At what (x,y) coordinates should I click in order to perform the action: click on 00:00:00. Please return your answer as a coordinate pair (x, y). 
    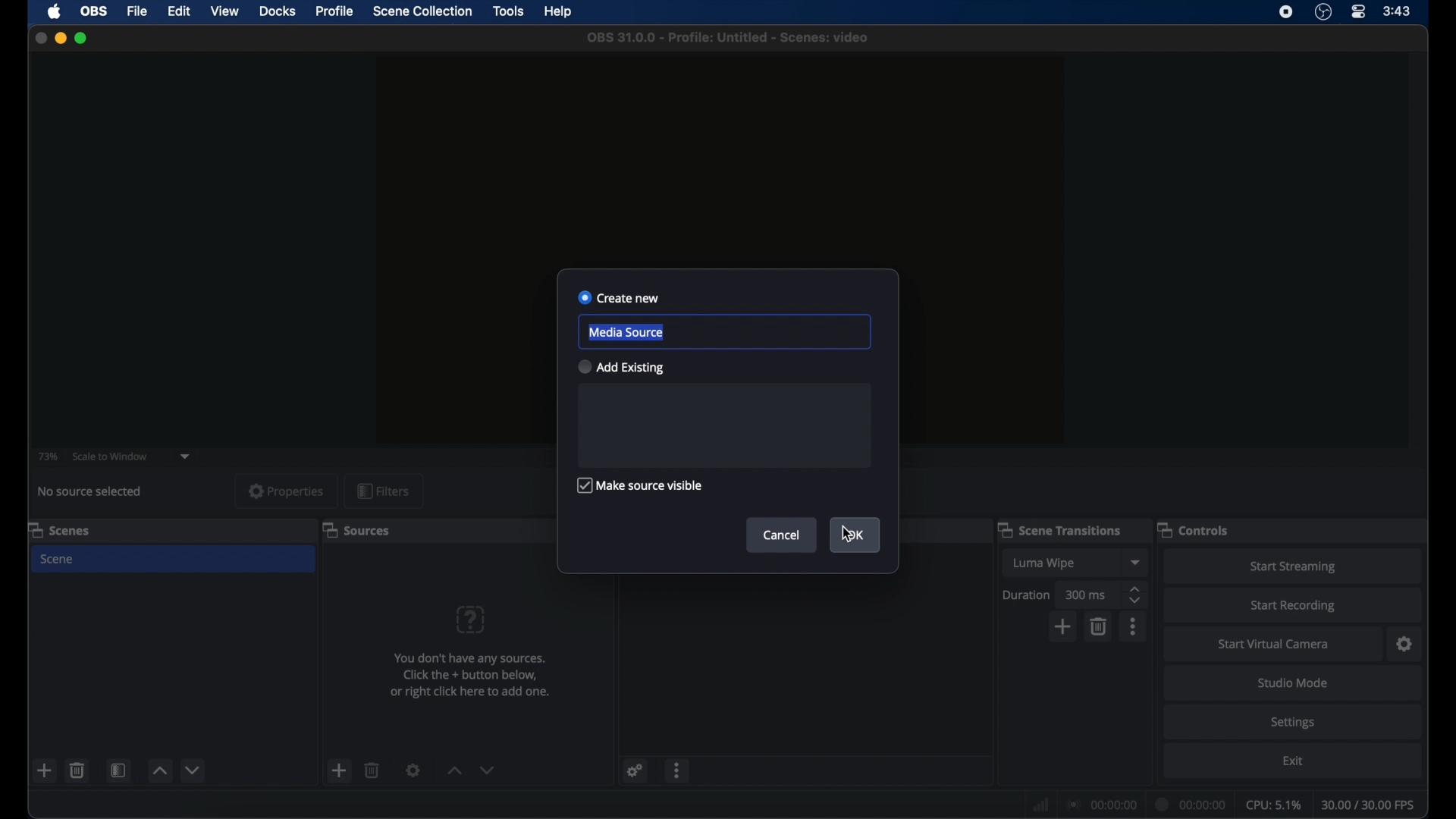
    Looking at the image, I should click on (1103, 805).